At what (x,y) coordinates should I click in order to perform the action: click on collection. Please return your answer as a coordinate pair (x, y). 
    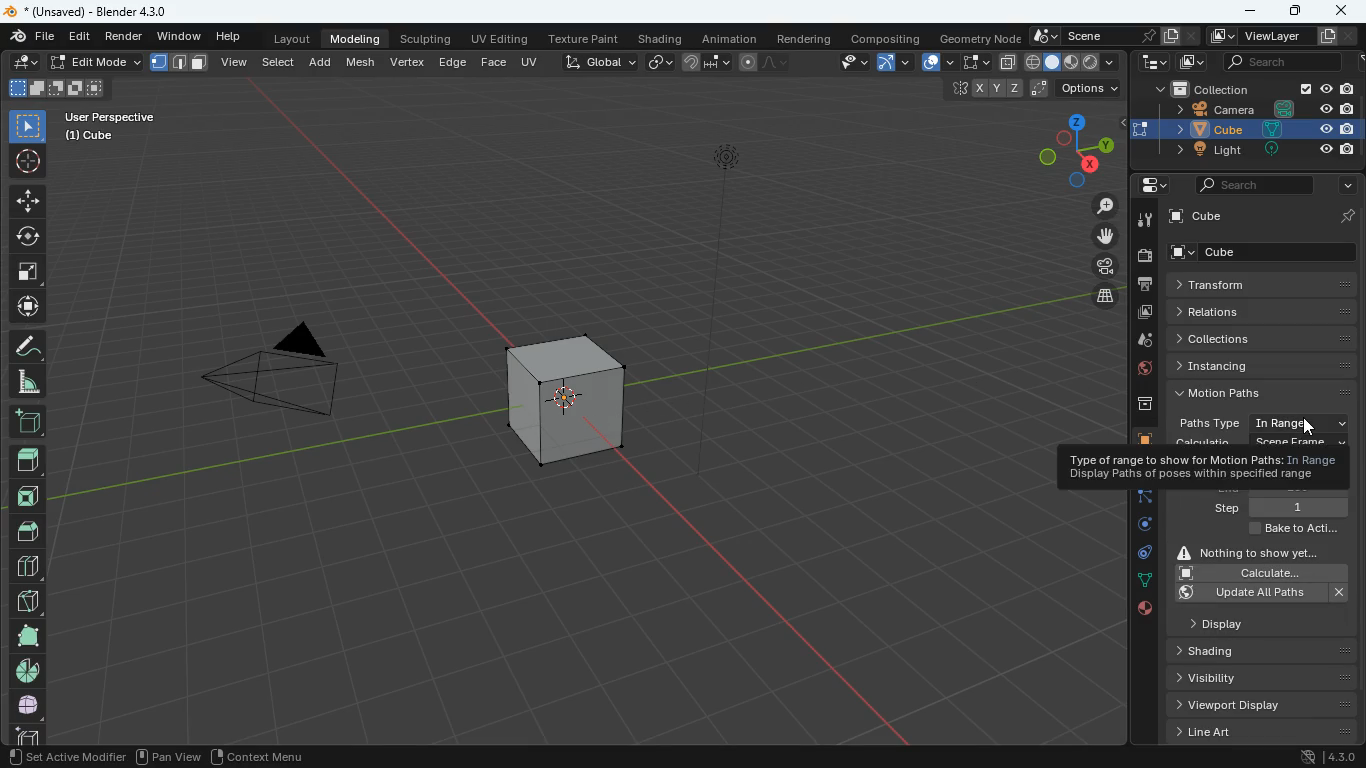
    Looking at the image, I should click on (1252, 90).